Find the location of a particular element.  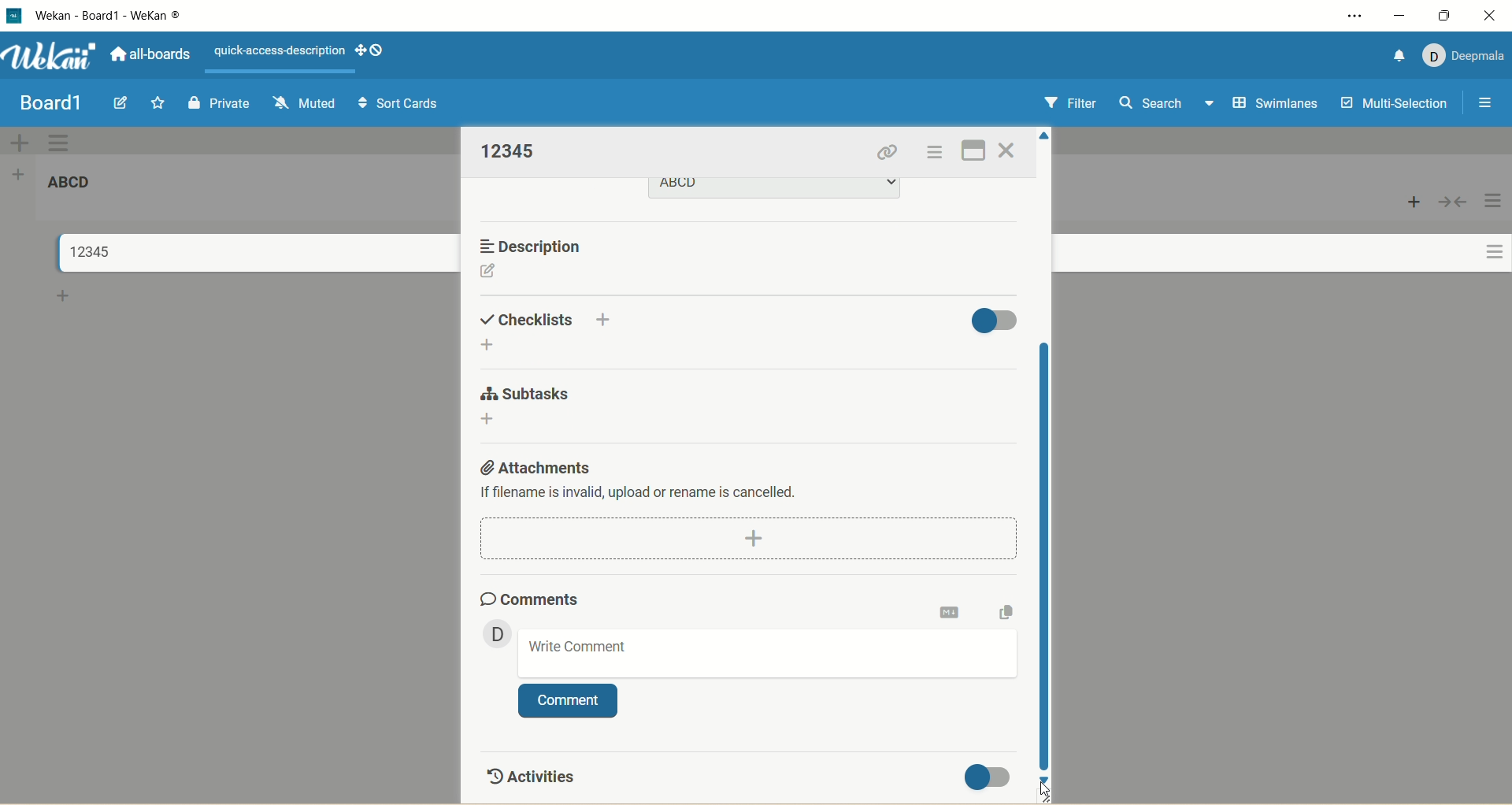

collapse is located at coordinates (1451, 202).